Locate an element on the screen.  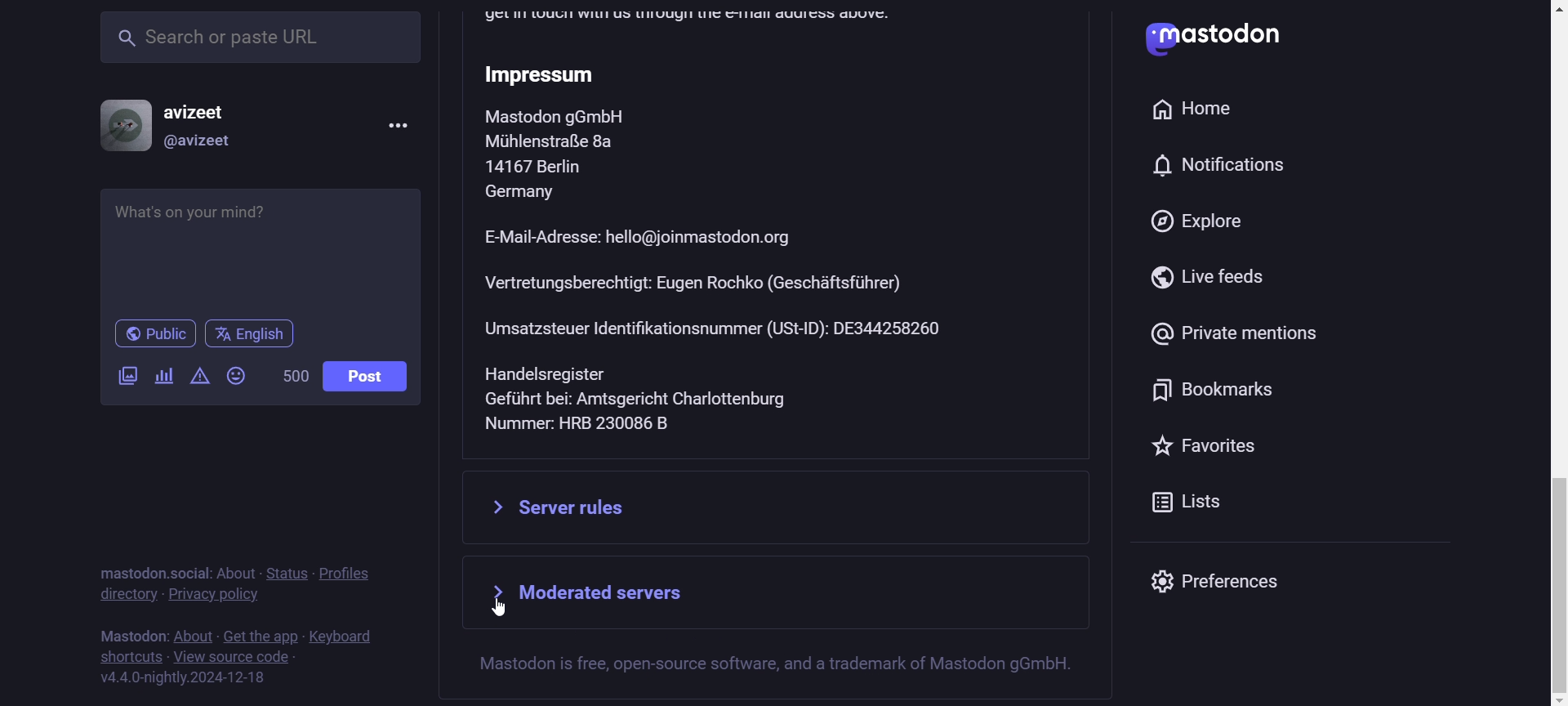
explore is located at coordinates (1189, 223).